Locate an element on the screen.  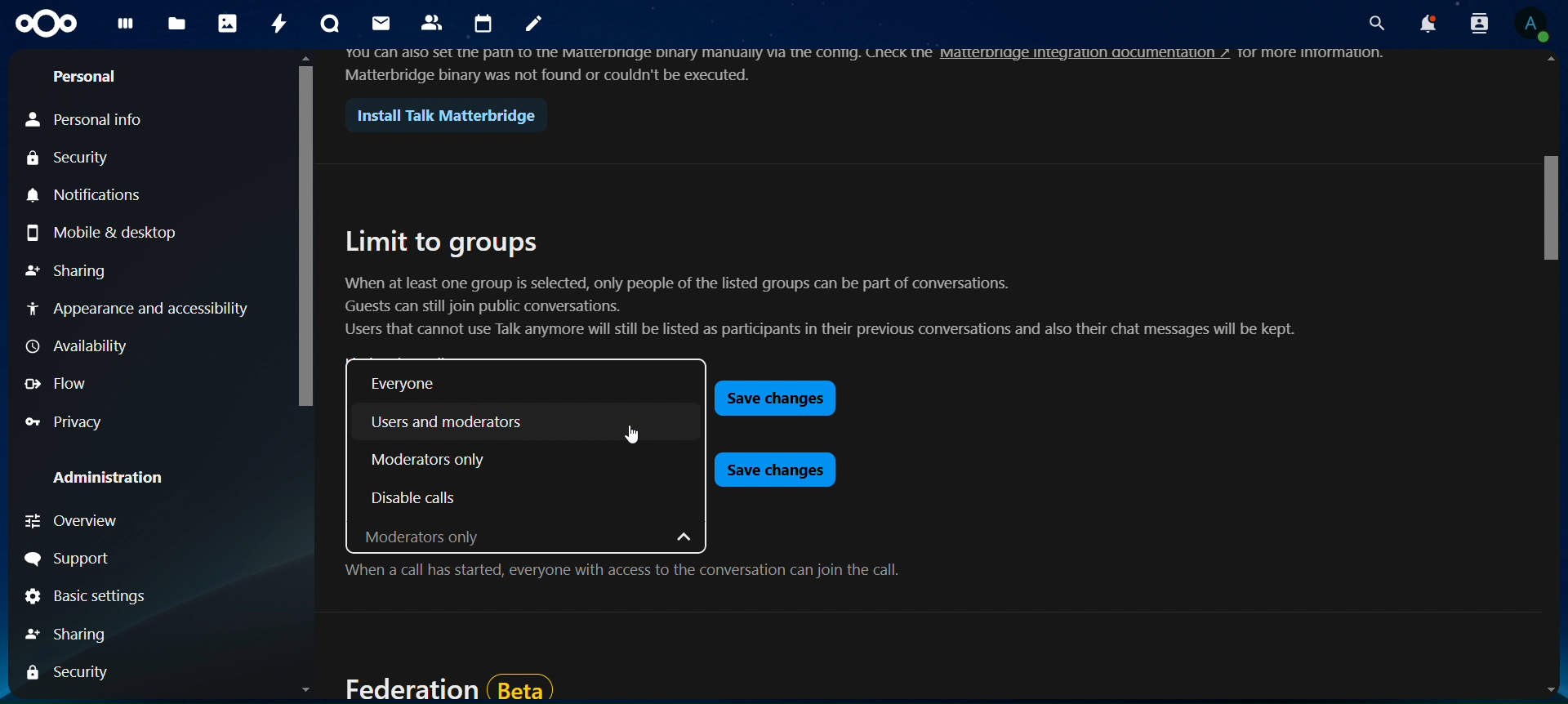
hyperlink is located at coordinates (1081, 54).